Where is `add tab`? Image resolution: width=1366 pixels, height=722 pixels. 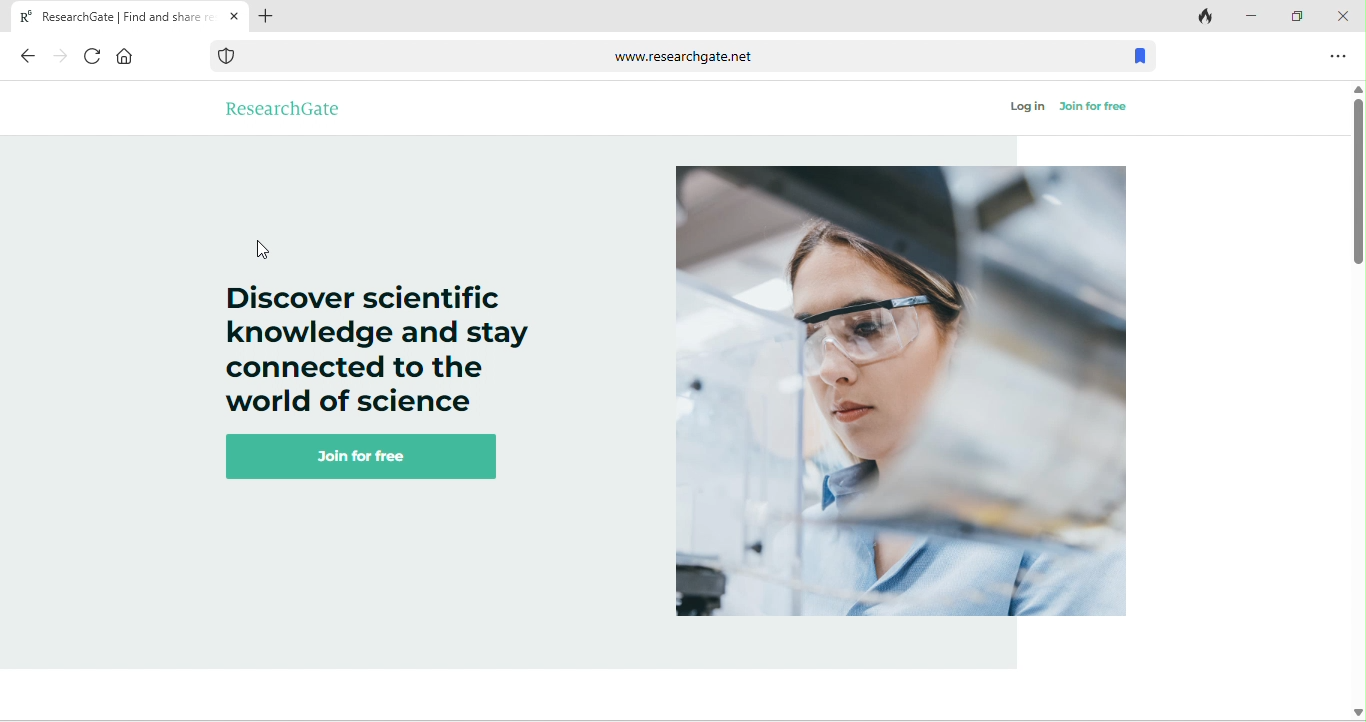
add tab is located at coordinates (274, 17).